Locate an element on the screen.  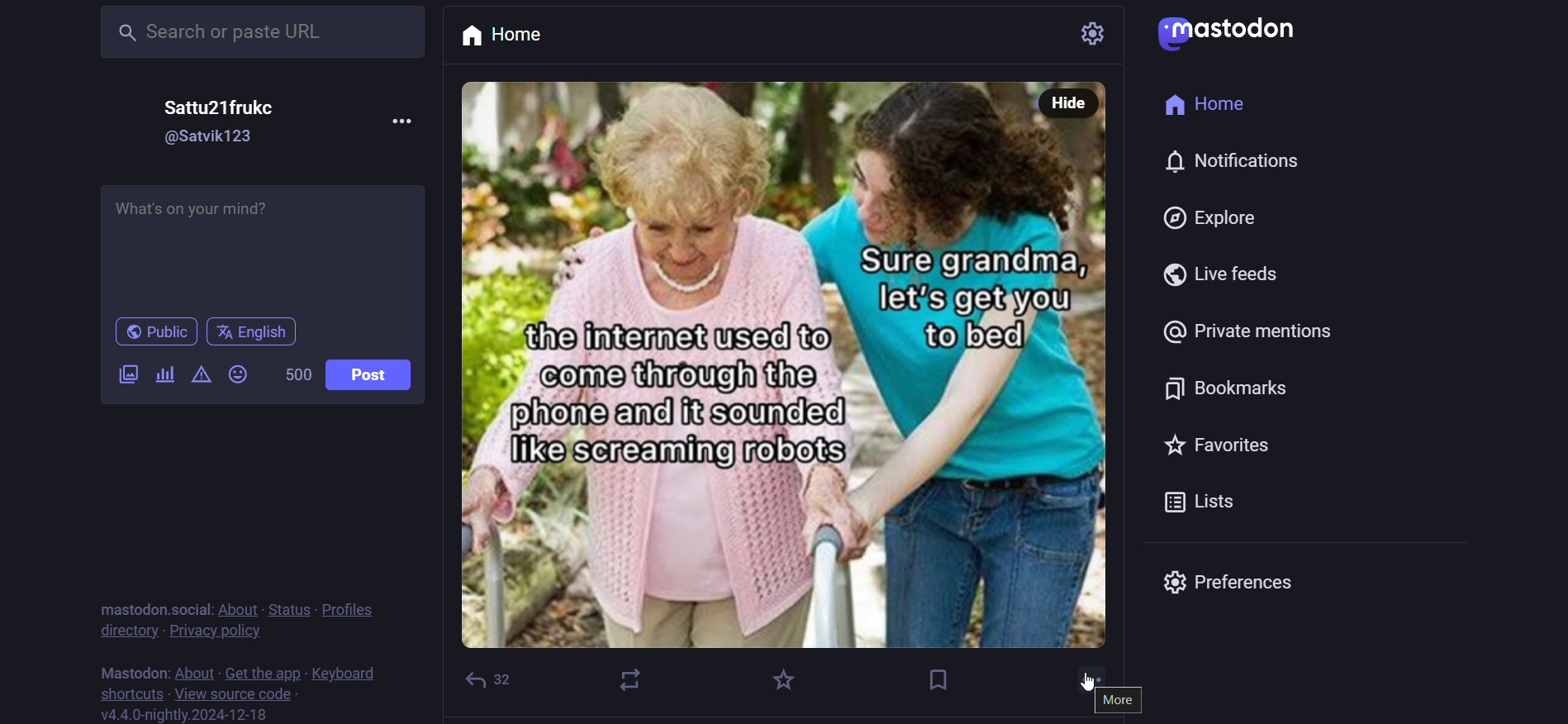
logo is located at coordinates (1226, 33).